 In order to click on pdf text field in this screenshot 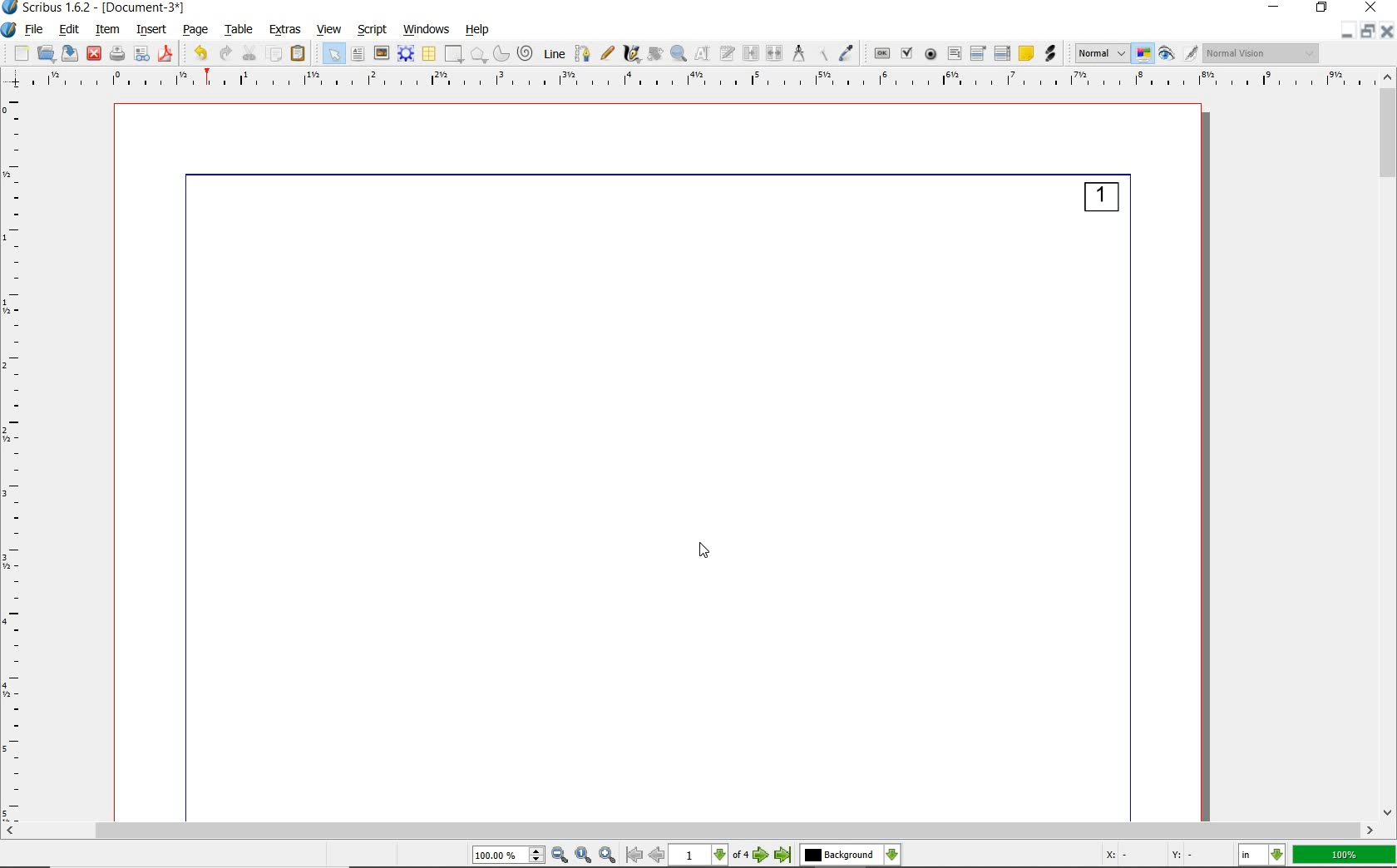, I will do `click(955, 52)`.